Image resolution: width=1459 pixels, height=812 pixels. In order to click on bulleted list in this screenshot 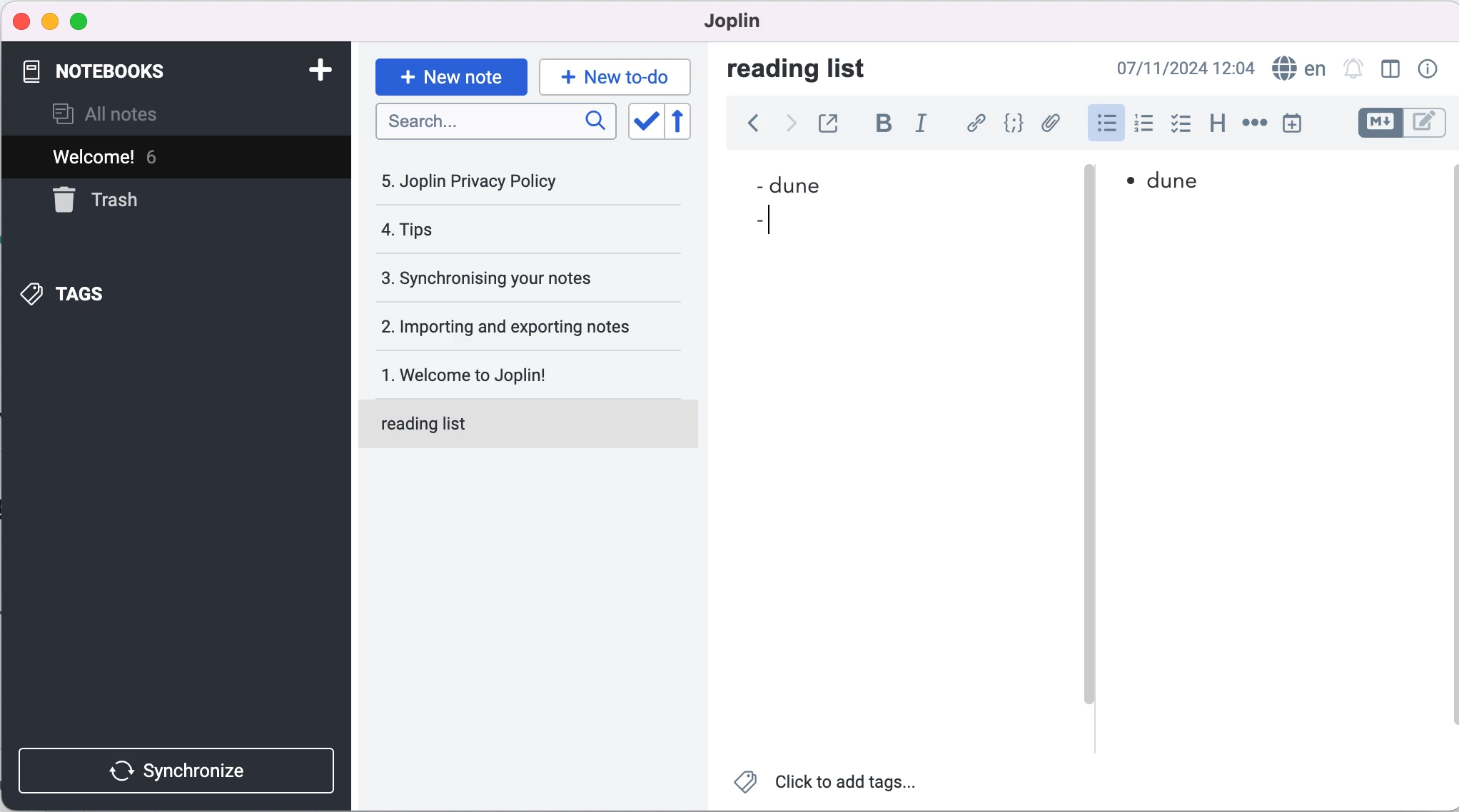, I will do `click(1101, 126)`.